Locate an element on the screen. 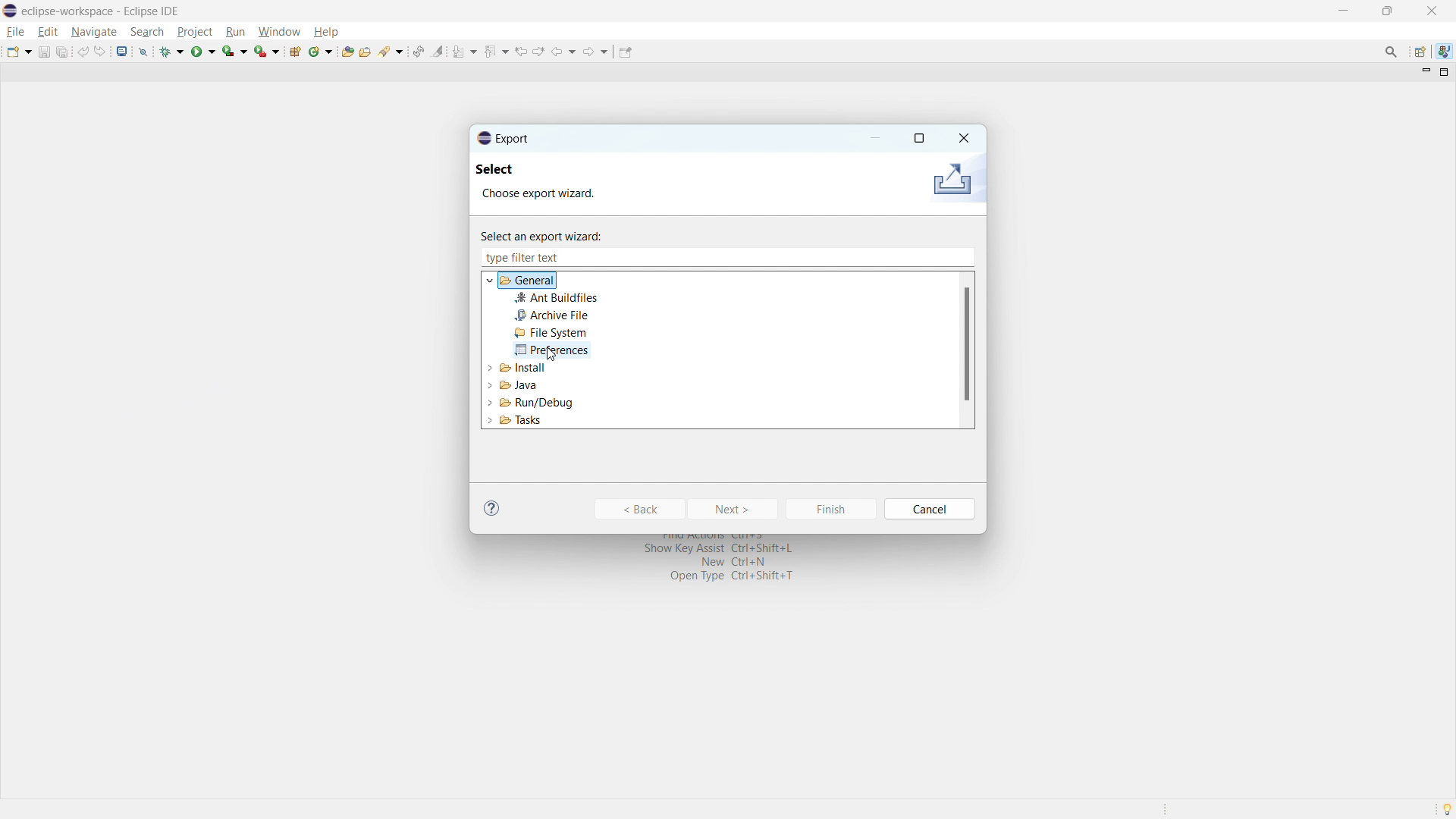 Image resolution: width=1456 pixels, height=819 pixels. maximize dialogbox is located at coordinates (918, 139).